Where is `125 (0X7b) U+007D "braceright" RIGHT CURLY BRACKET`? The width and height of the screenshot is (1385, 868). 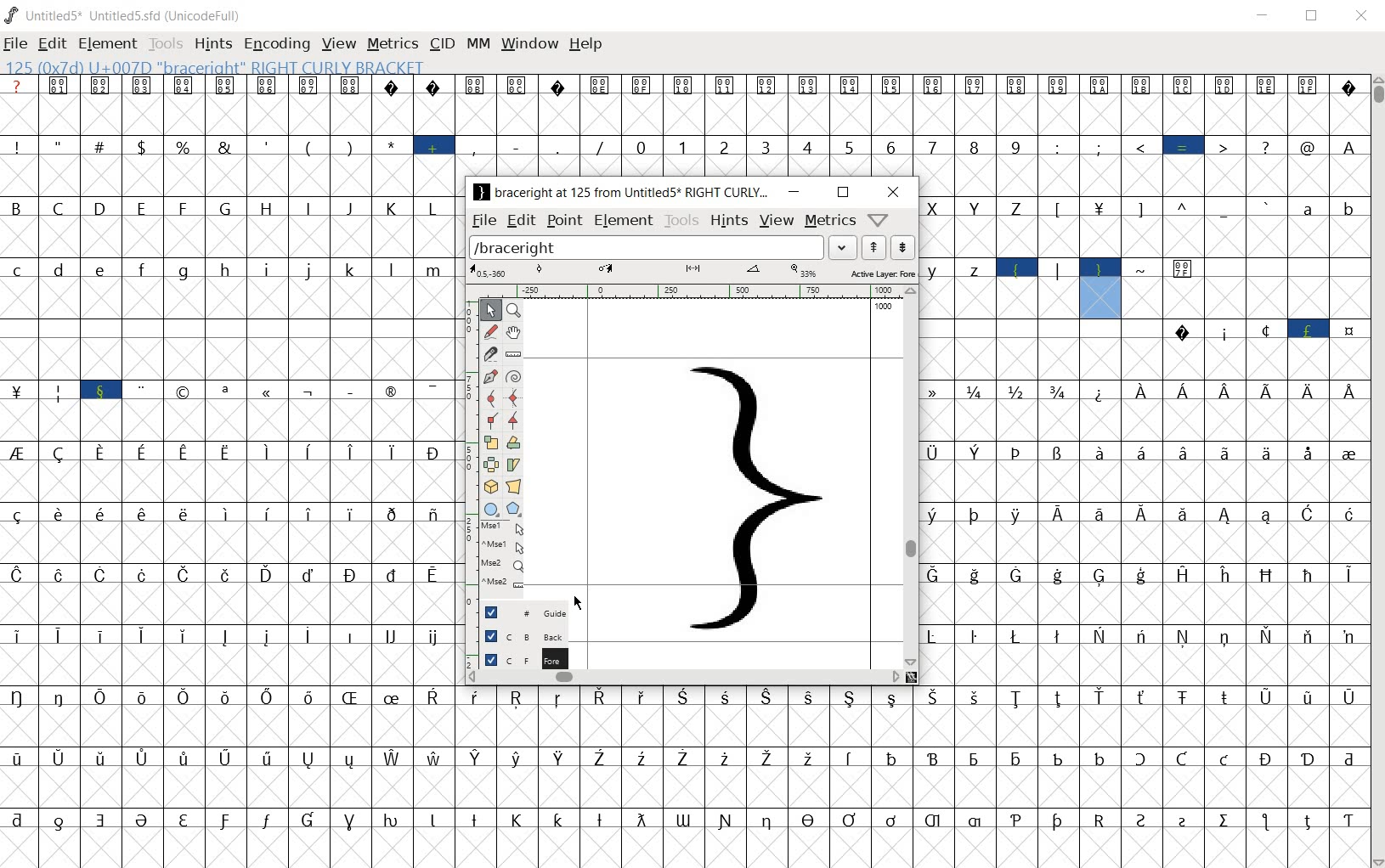
125 (0X7b) U+007D "braceright" RIGHT CURLY BRACKET is located at coordinates (212, 66).